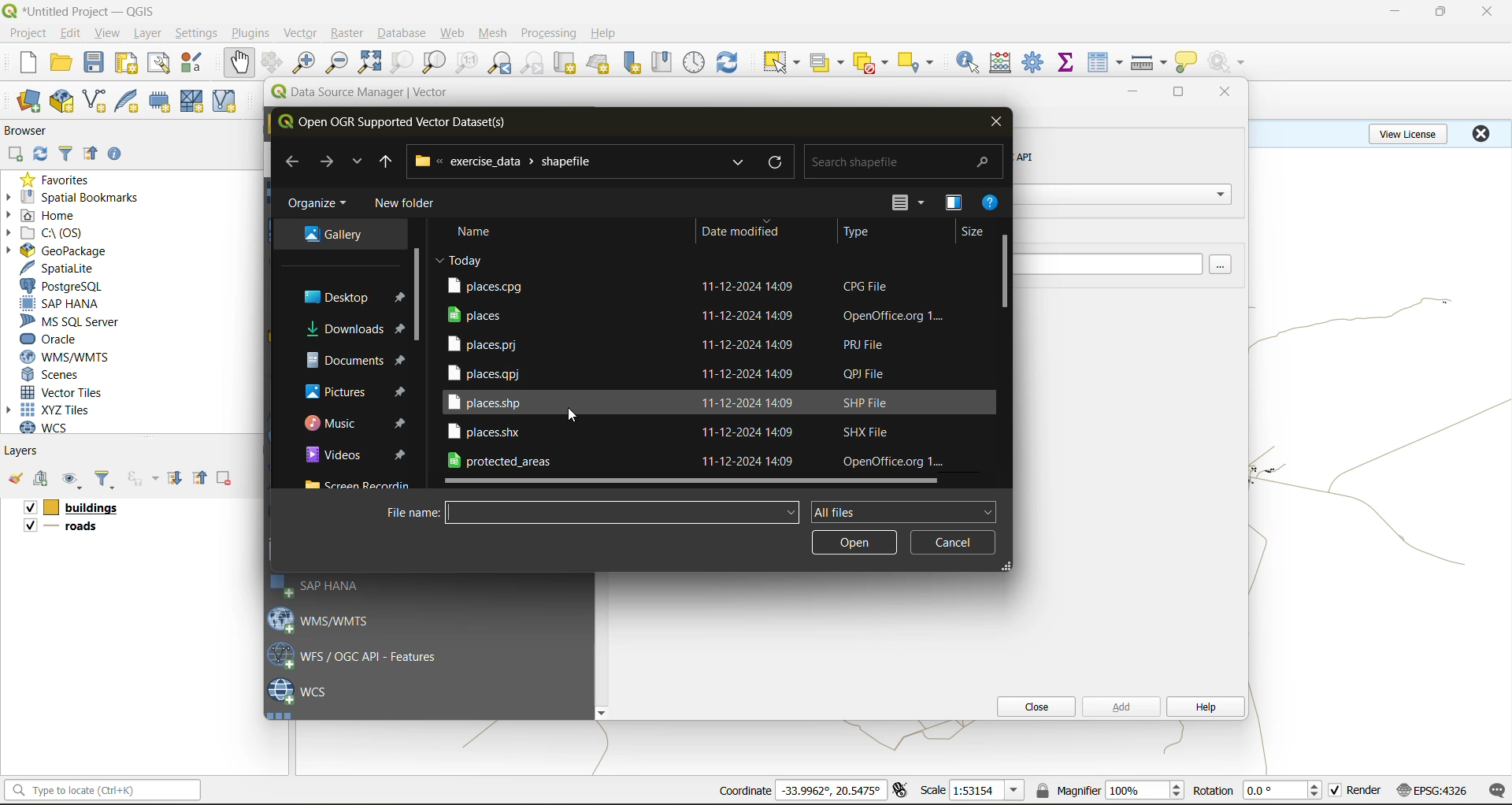 This screenshot has width=1512, height=805. Describe the element at coordinates (299, 692) in the screenshot. I see `wcs` at that location.